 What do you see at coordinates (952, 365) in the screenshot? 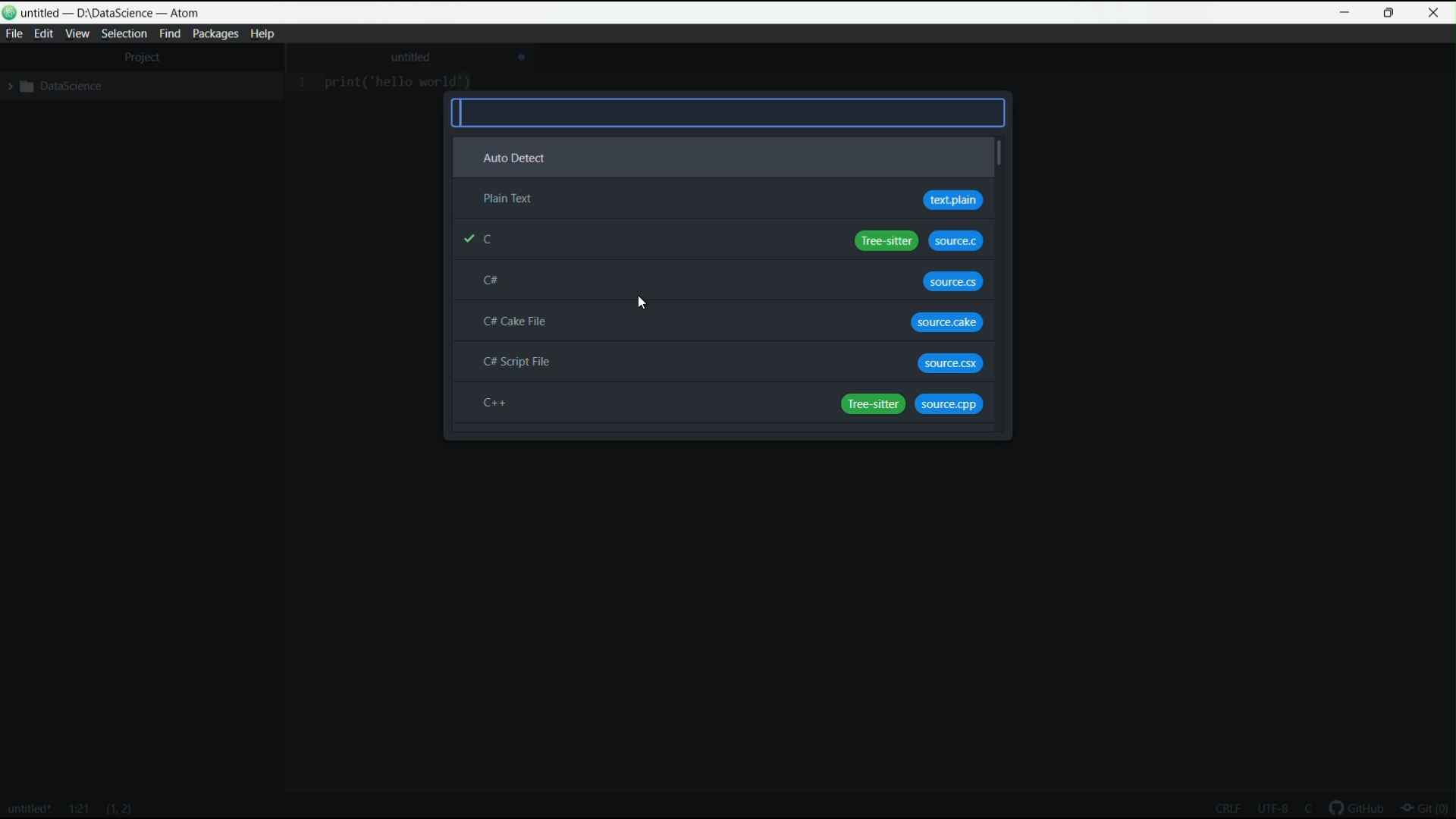
I see `source.csx` at bounding box center [952, 365].